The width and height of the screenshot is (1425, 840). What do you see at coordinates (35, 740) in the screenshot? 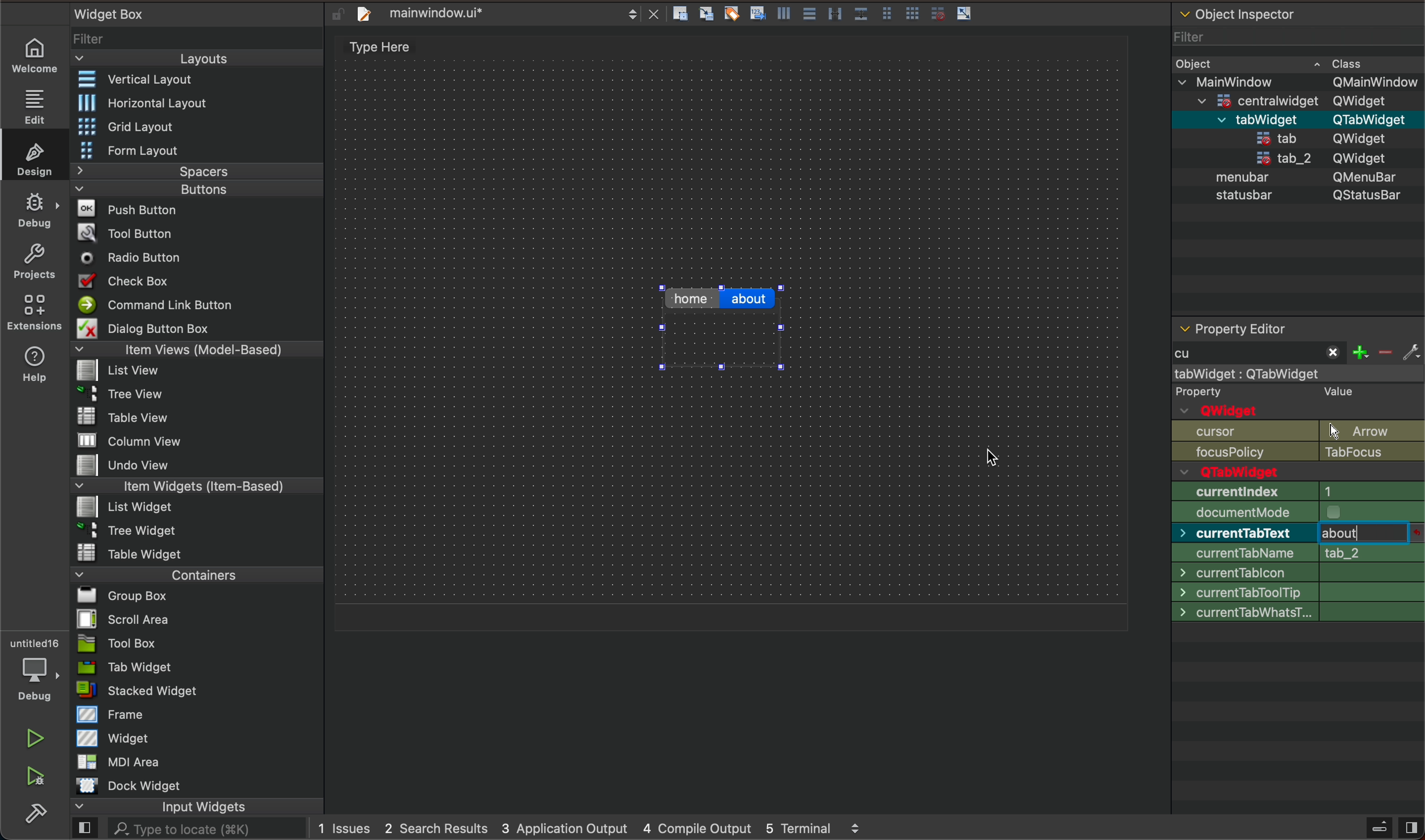
I see `play` at bounding box center [35, 740].